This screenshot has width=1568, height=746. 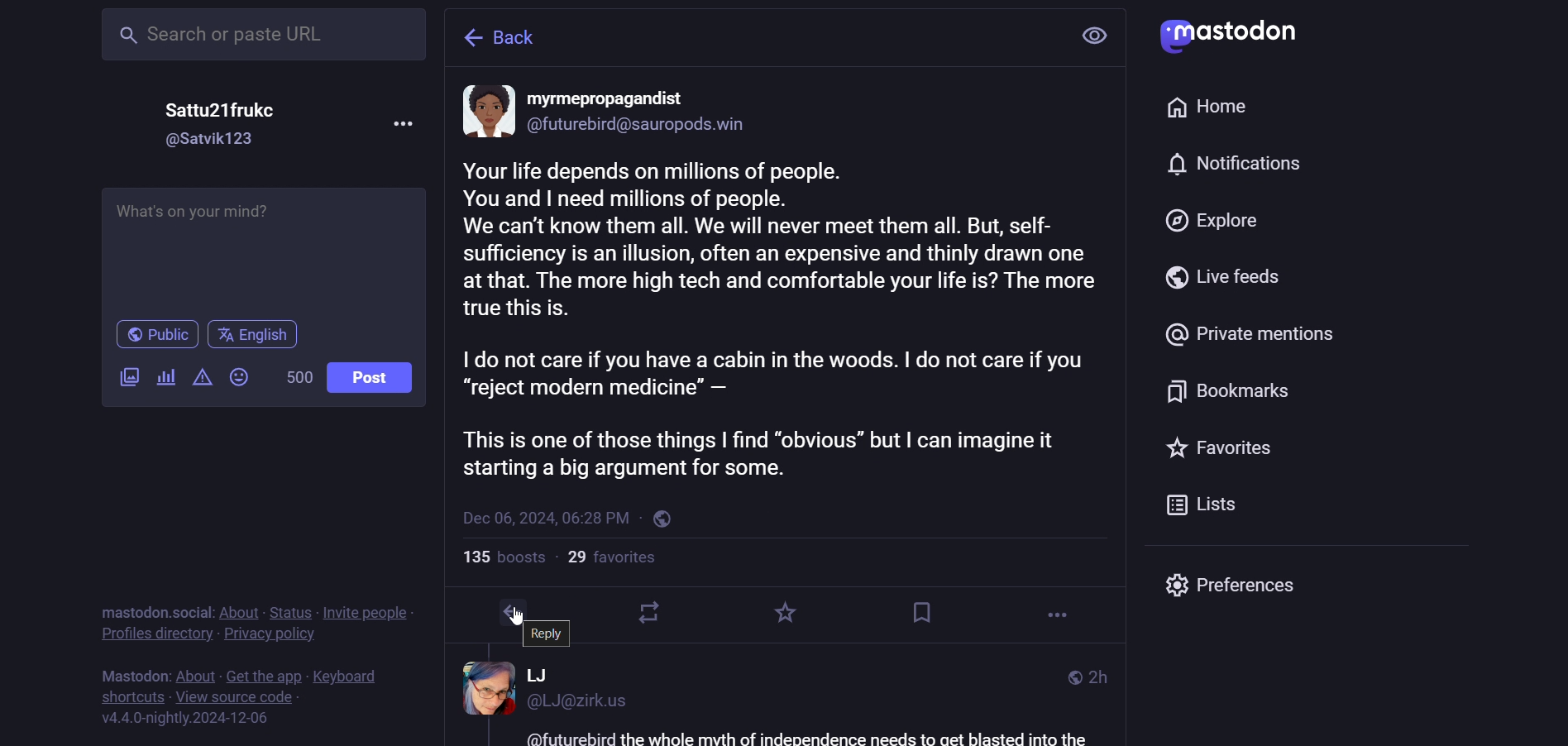 What do you see at coordinates (1221, 450) in the screenshot?
I see `favorite` at bounding box center [1221, 450].